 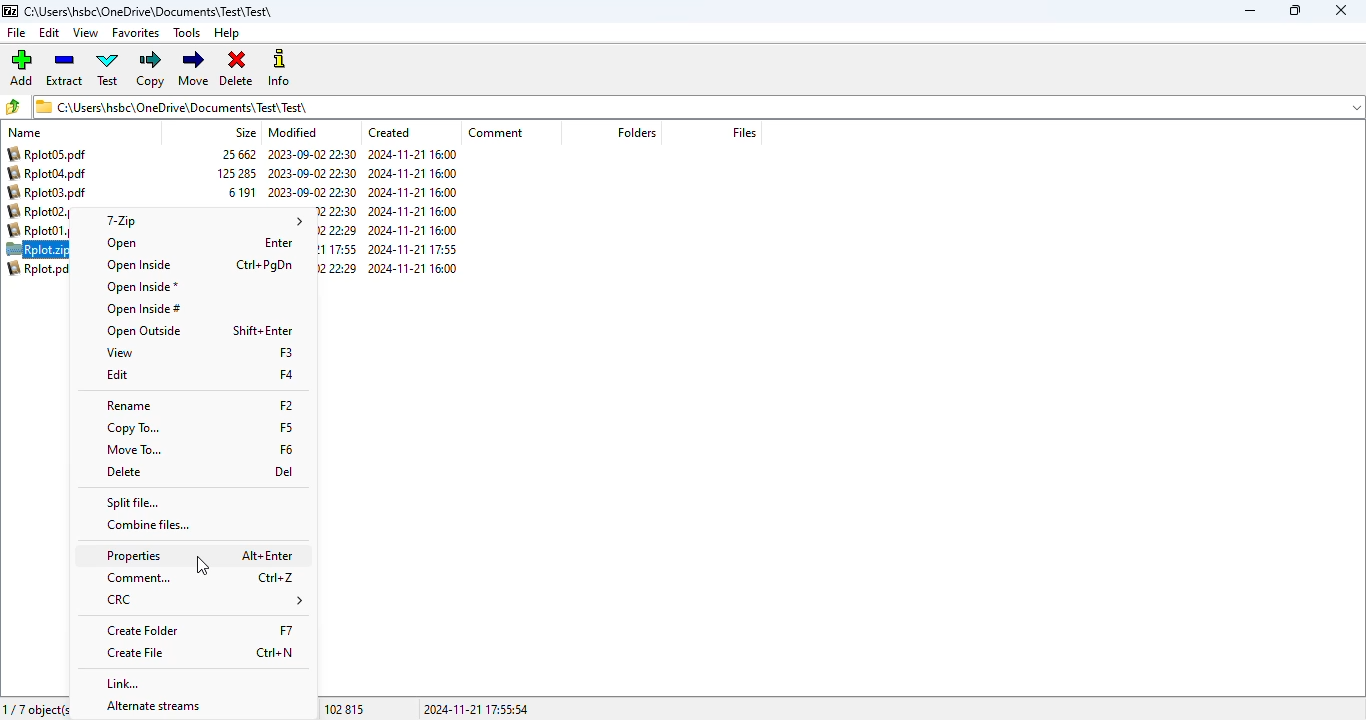 What do you see at coordinates (286, 447) in the screenshot?
I see `F6` at bounding box center [286, 447].